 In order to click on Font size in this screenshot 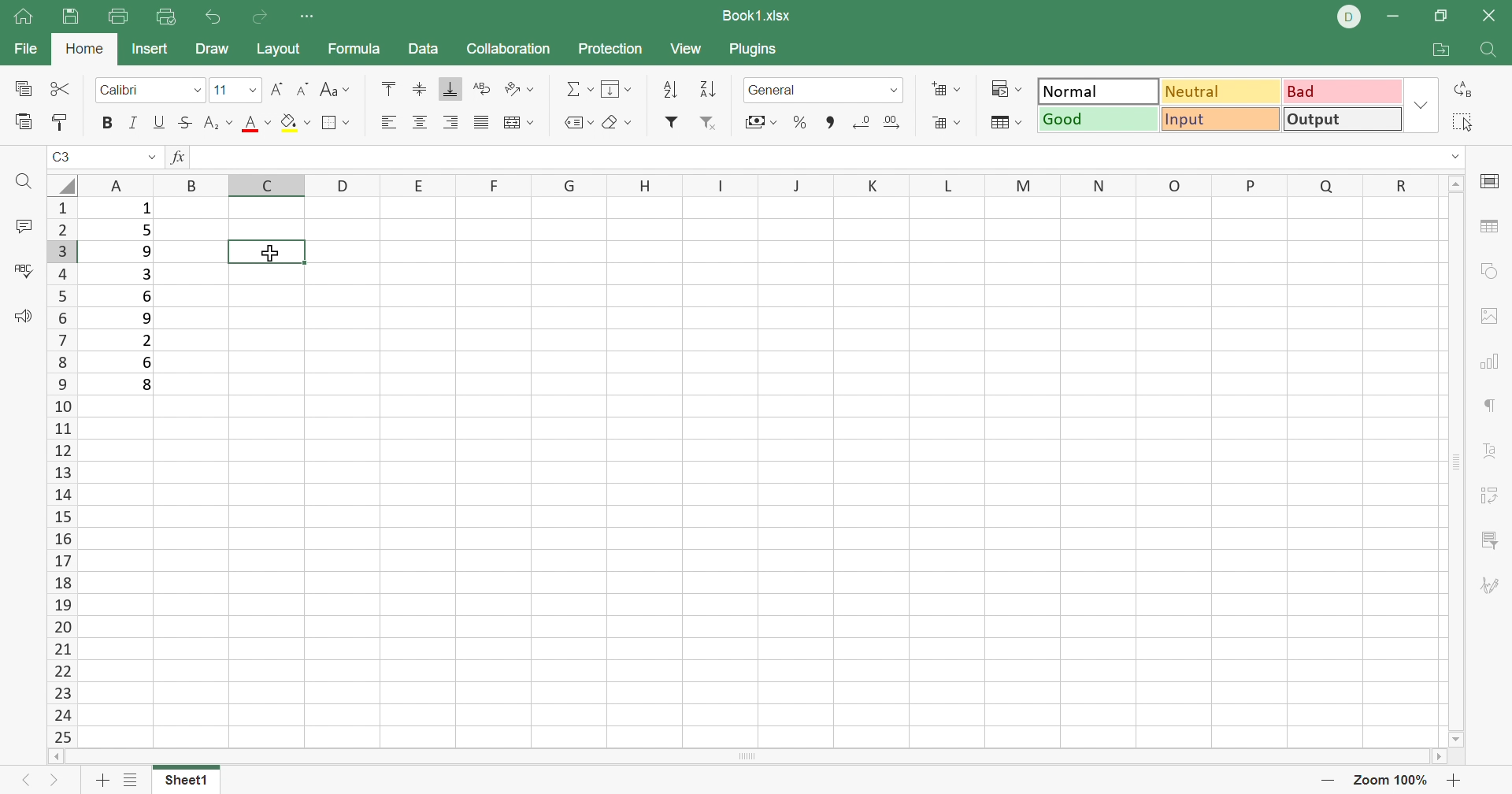, I will do `click(235, 88)`.